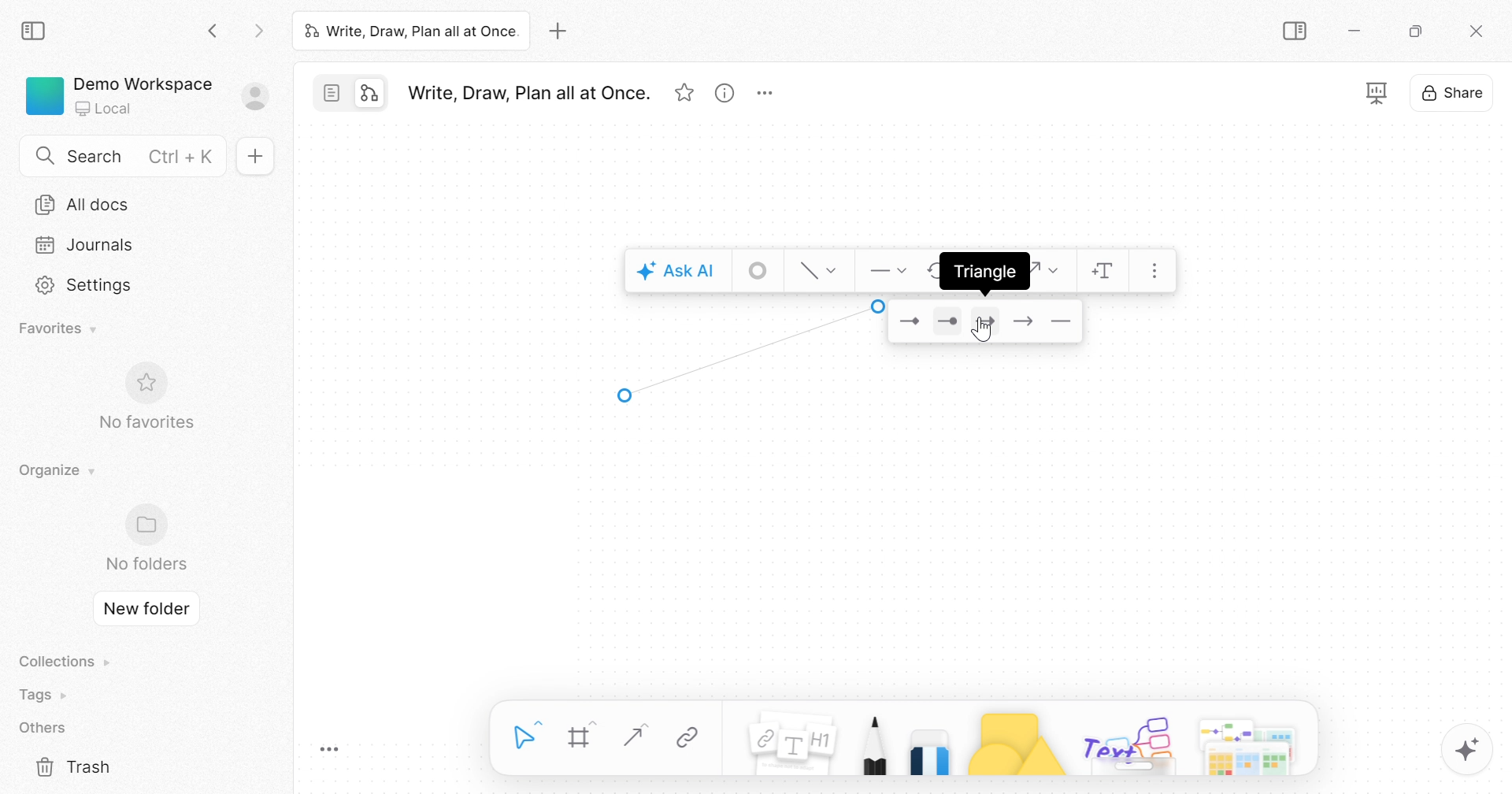  Describe the element at coordinates (688, 739) in the screenshot. I see `Link` at that location.